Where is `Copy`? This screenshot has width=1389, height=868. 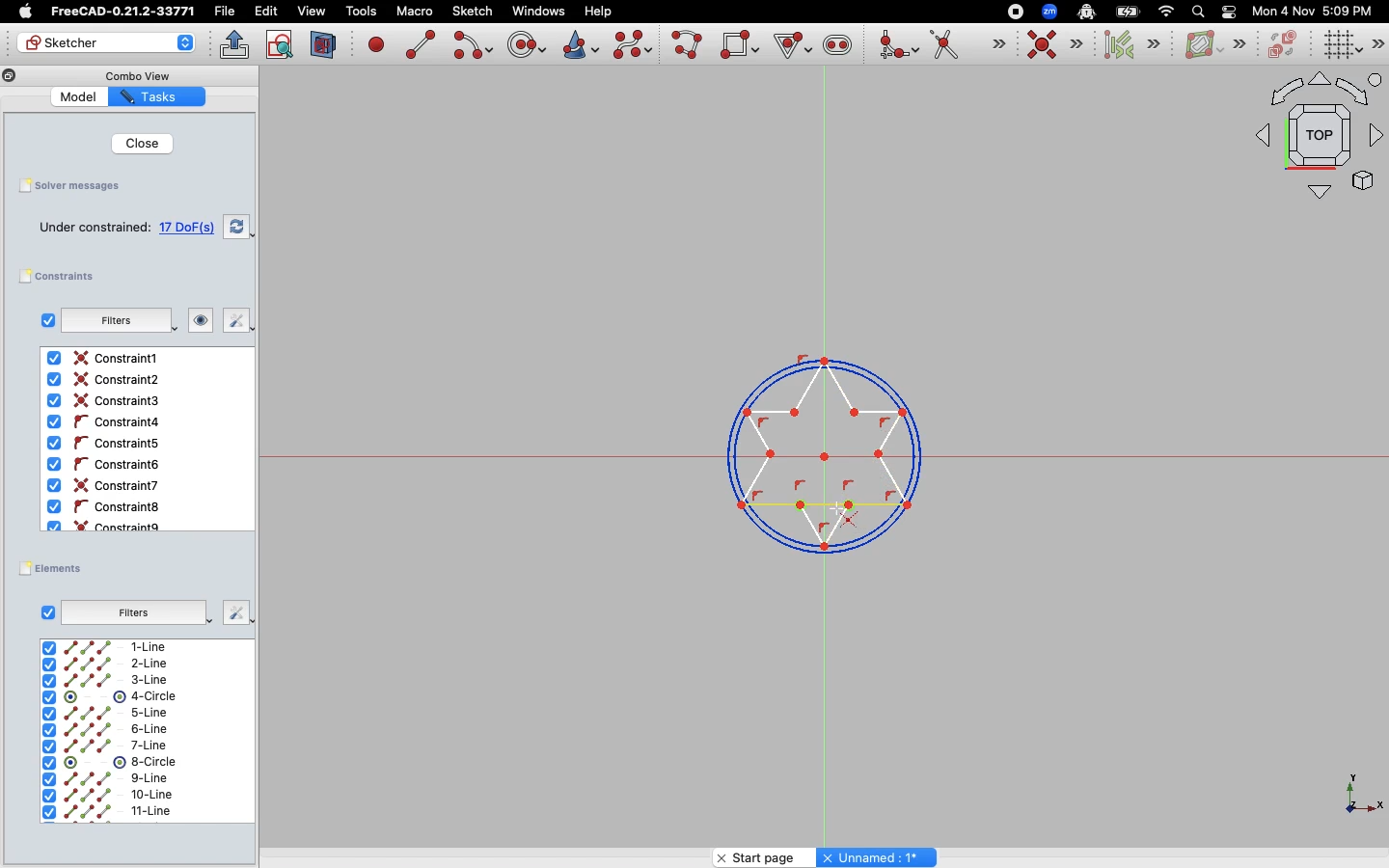 Copy is located at coordinates (10, 78).